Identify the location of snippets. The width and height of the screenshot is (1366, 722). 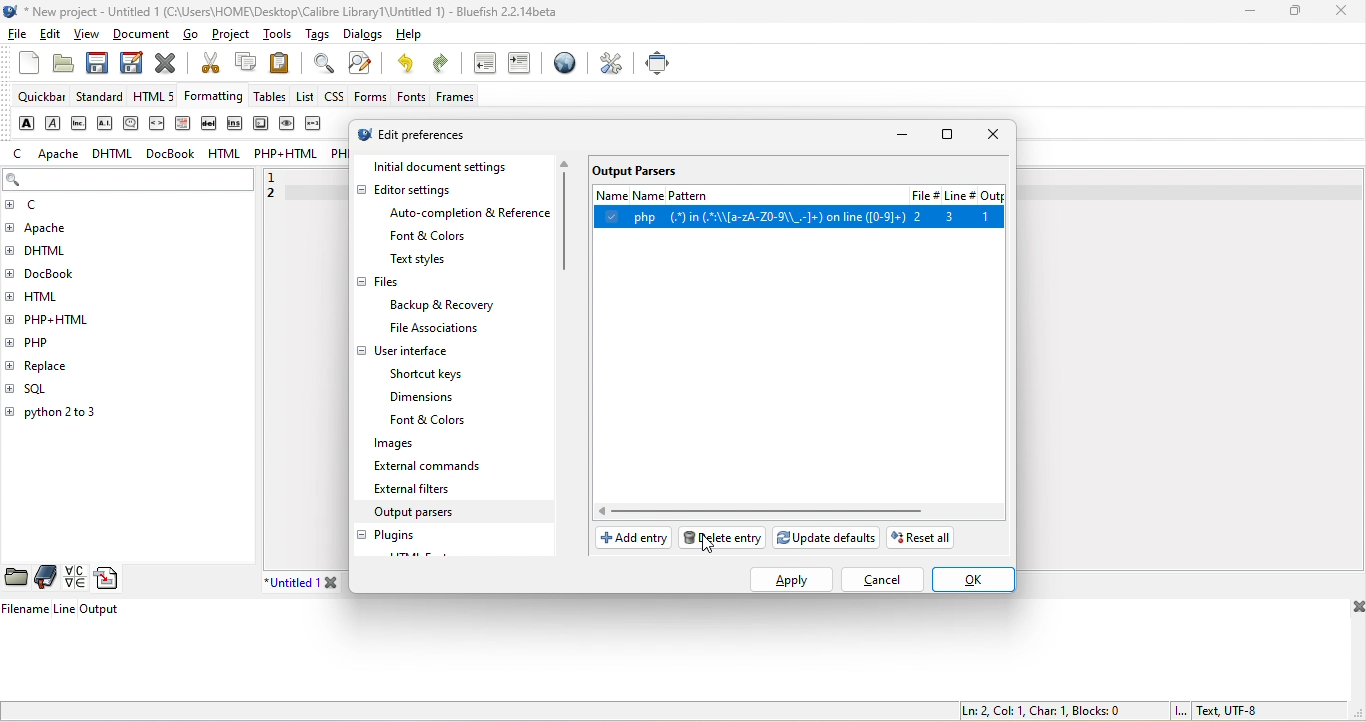
(111, 579).